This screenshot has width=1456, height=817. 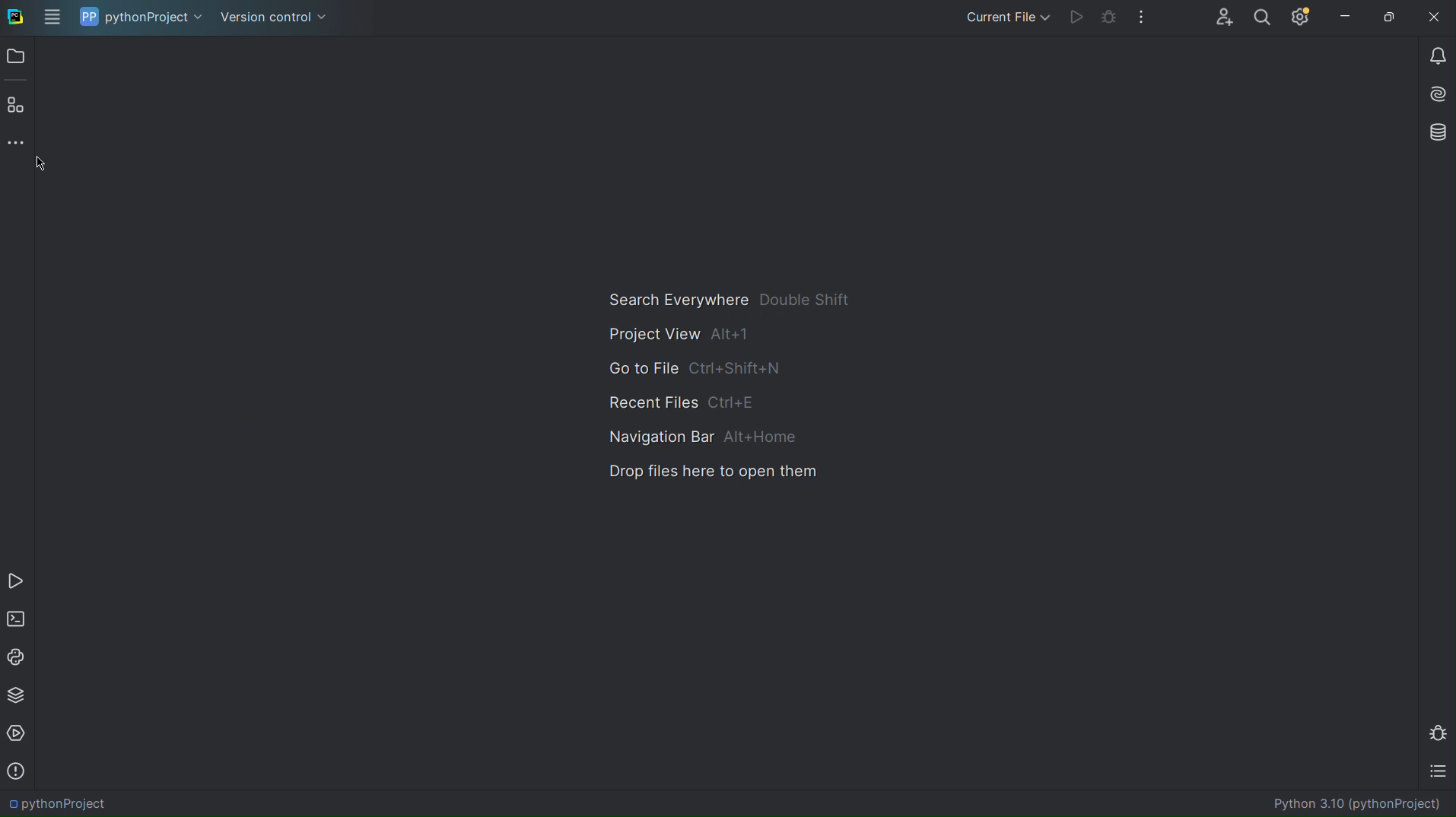 I want to click on Project View, so click(x=678, y=335).